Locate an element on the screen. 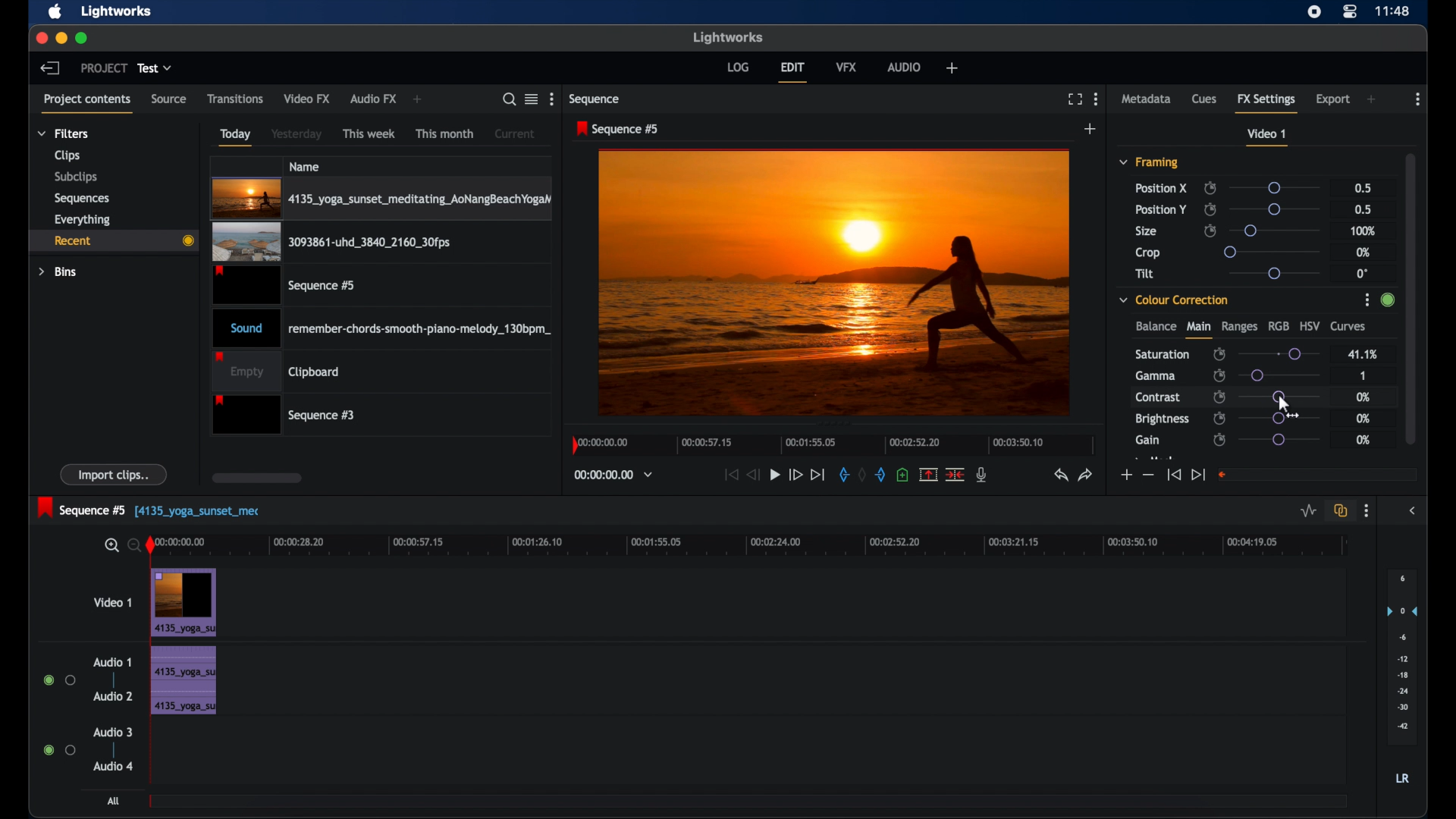  jump to end is located at coordinates (818, 474).